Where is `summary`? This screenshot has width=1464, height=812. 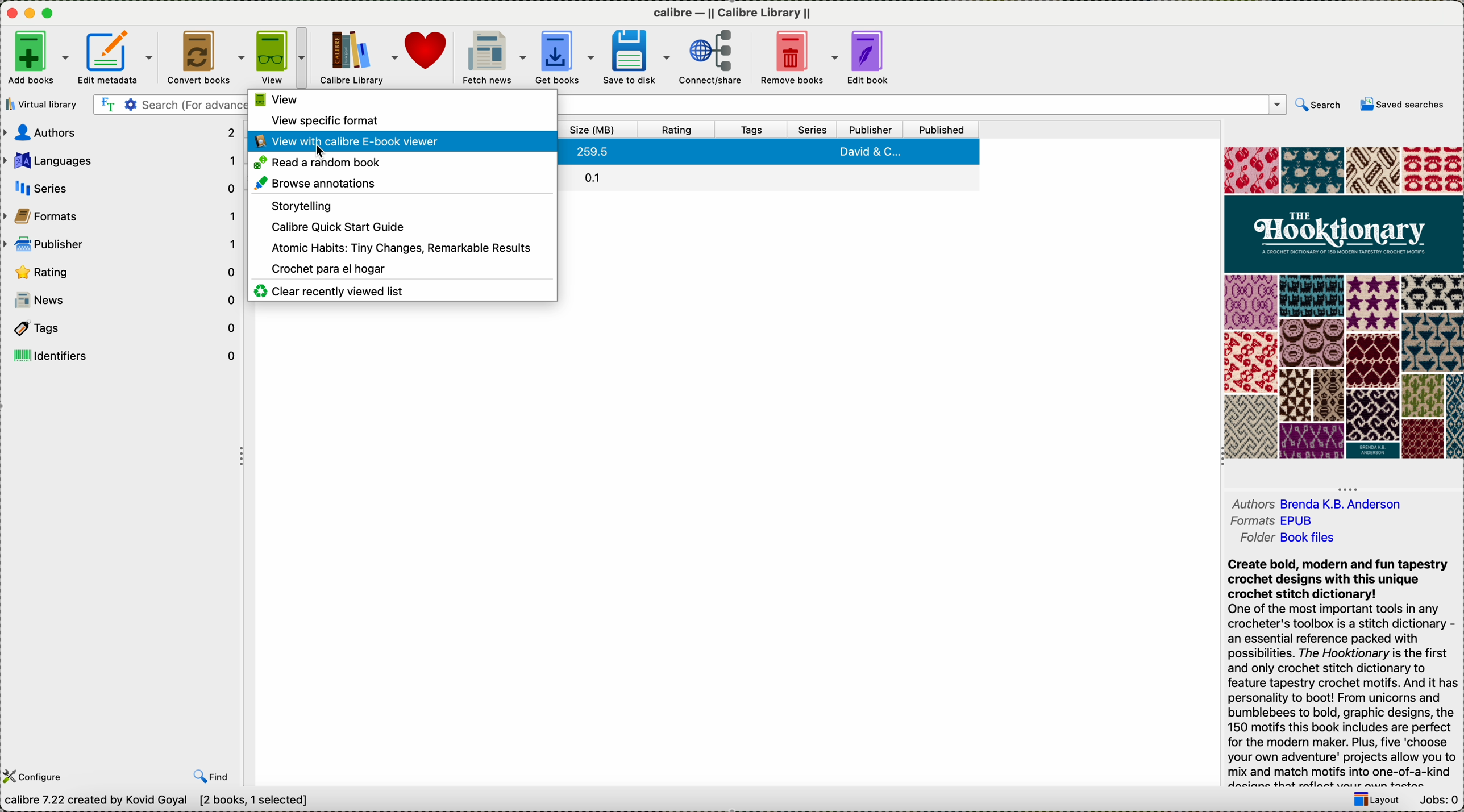
summary is located at coordinates (1345, 672).